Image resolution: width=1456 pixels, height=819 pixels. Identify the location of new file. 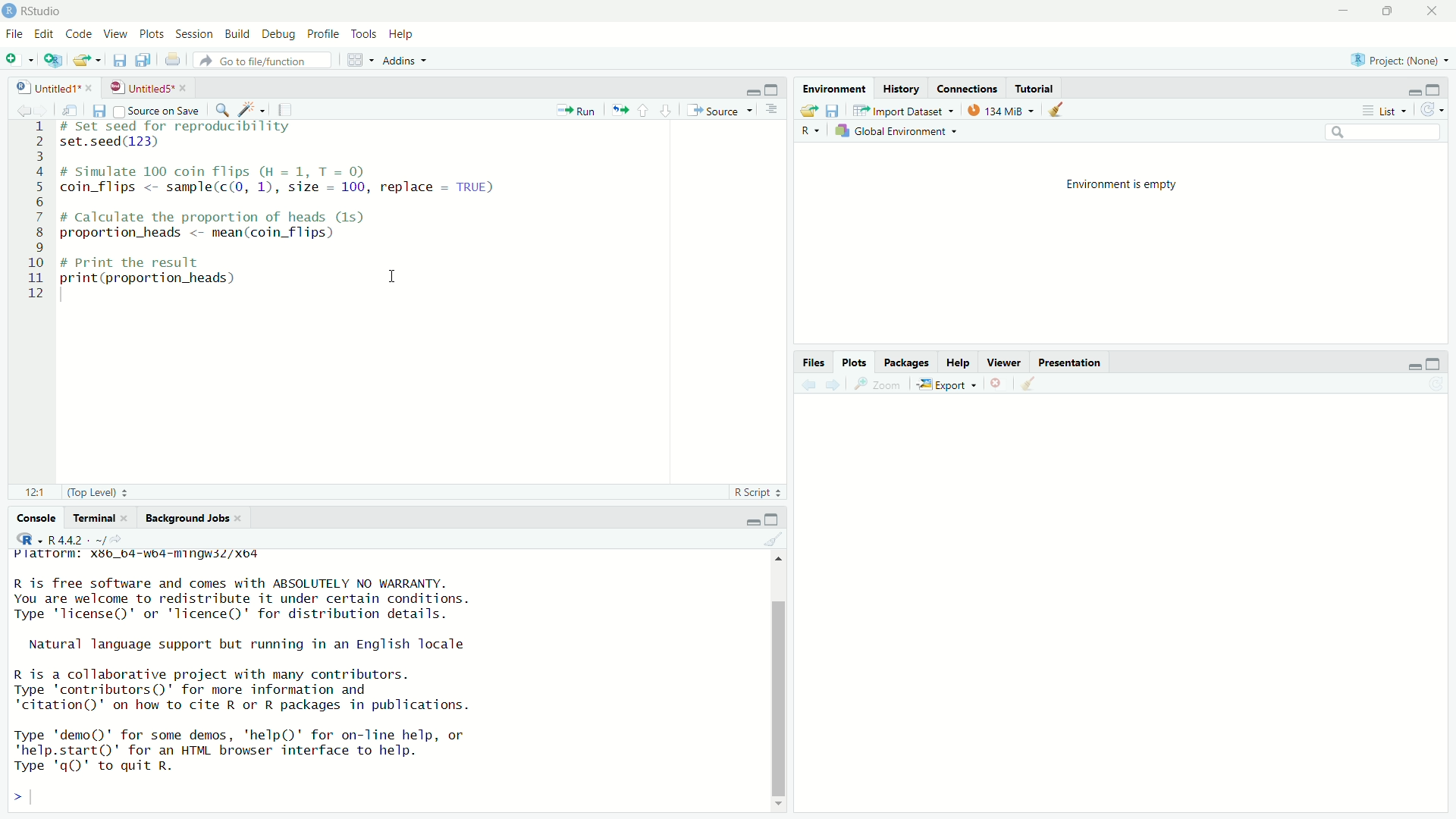
(18, 59).